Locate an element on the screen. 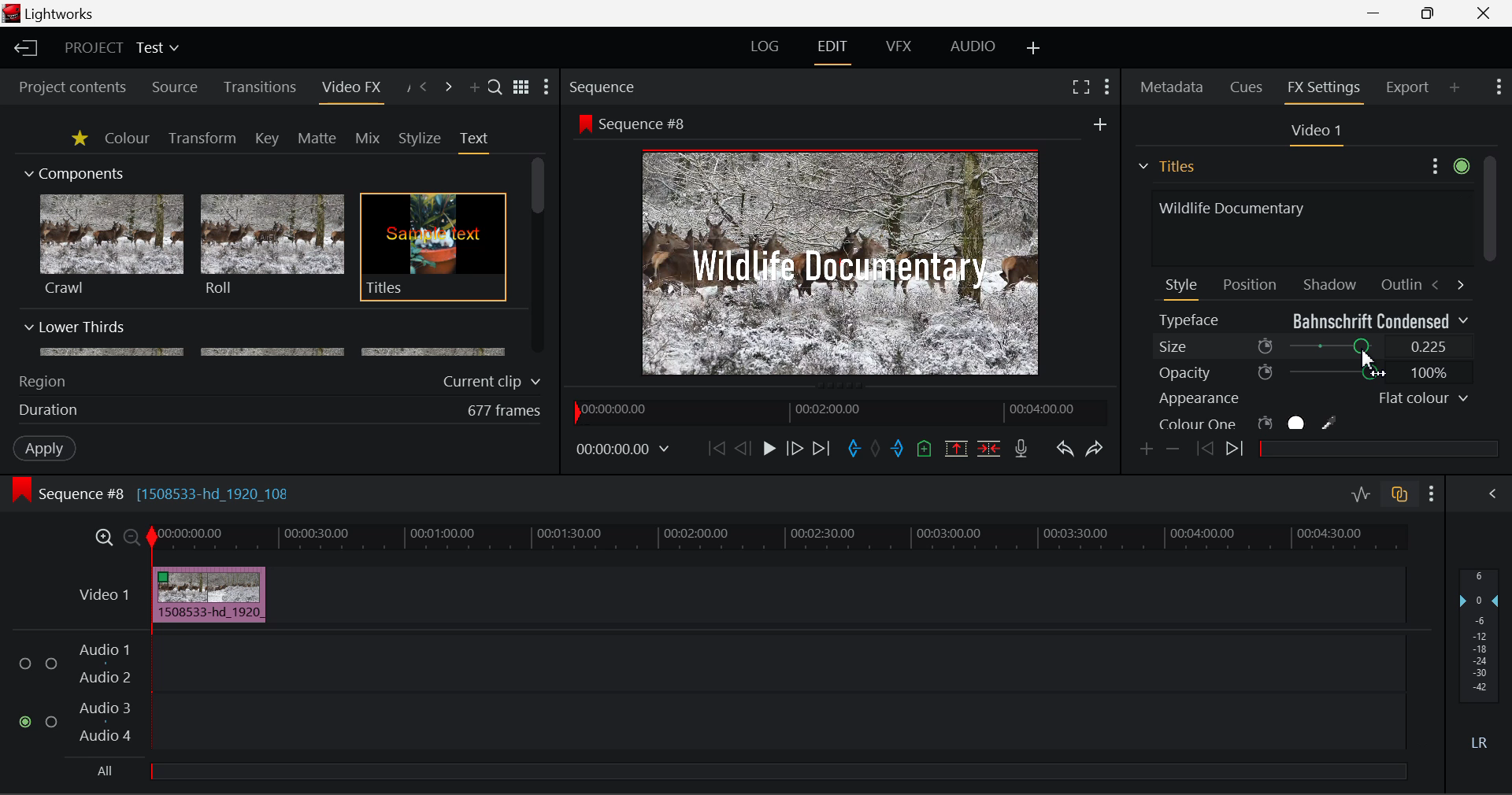 The height and width of the screenshot is (795, 1512). Video FX Panel Open is located at coordinates (350, 89).